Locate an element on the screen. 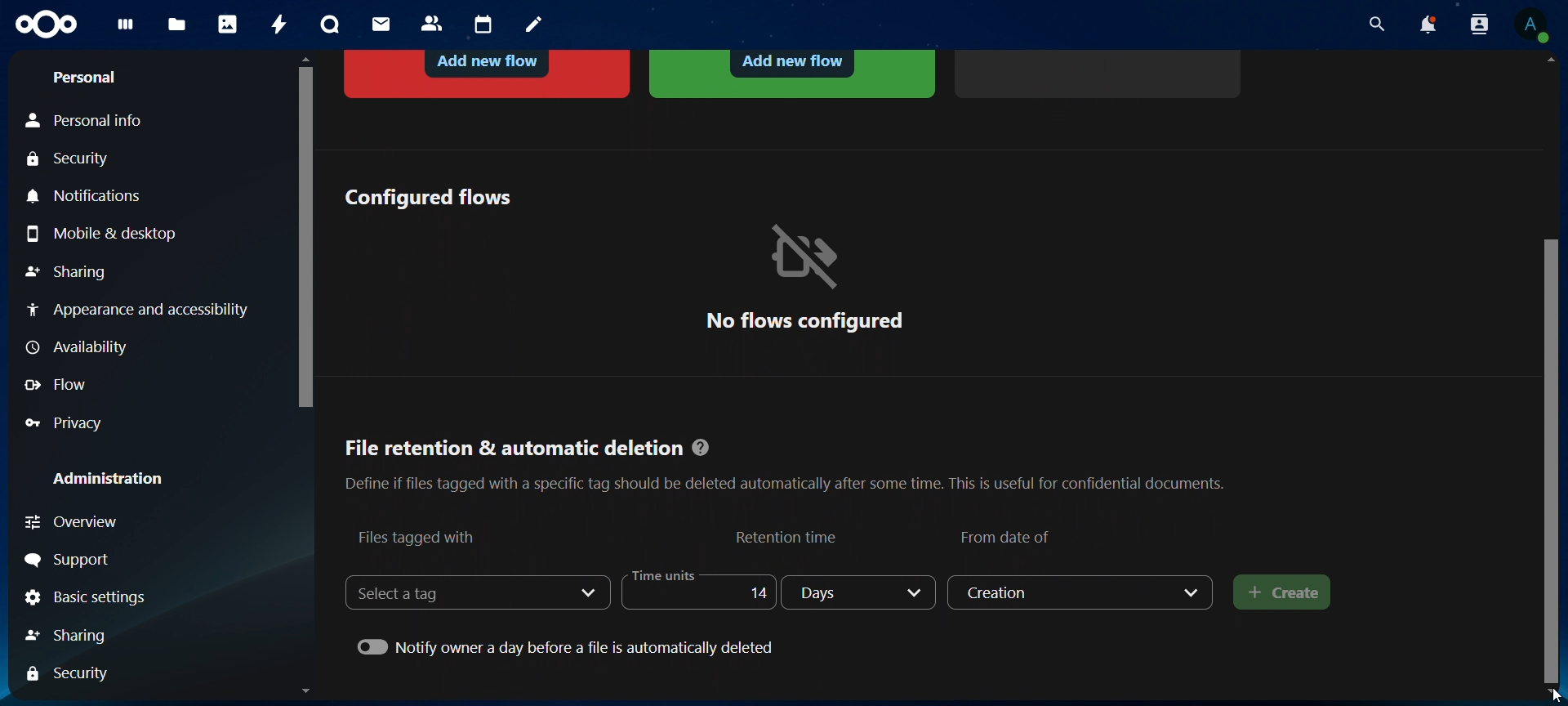 The height and width of the screenshot is (706, 1568). security is located at coordinates (73, 160).